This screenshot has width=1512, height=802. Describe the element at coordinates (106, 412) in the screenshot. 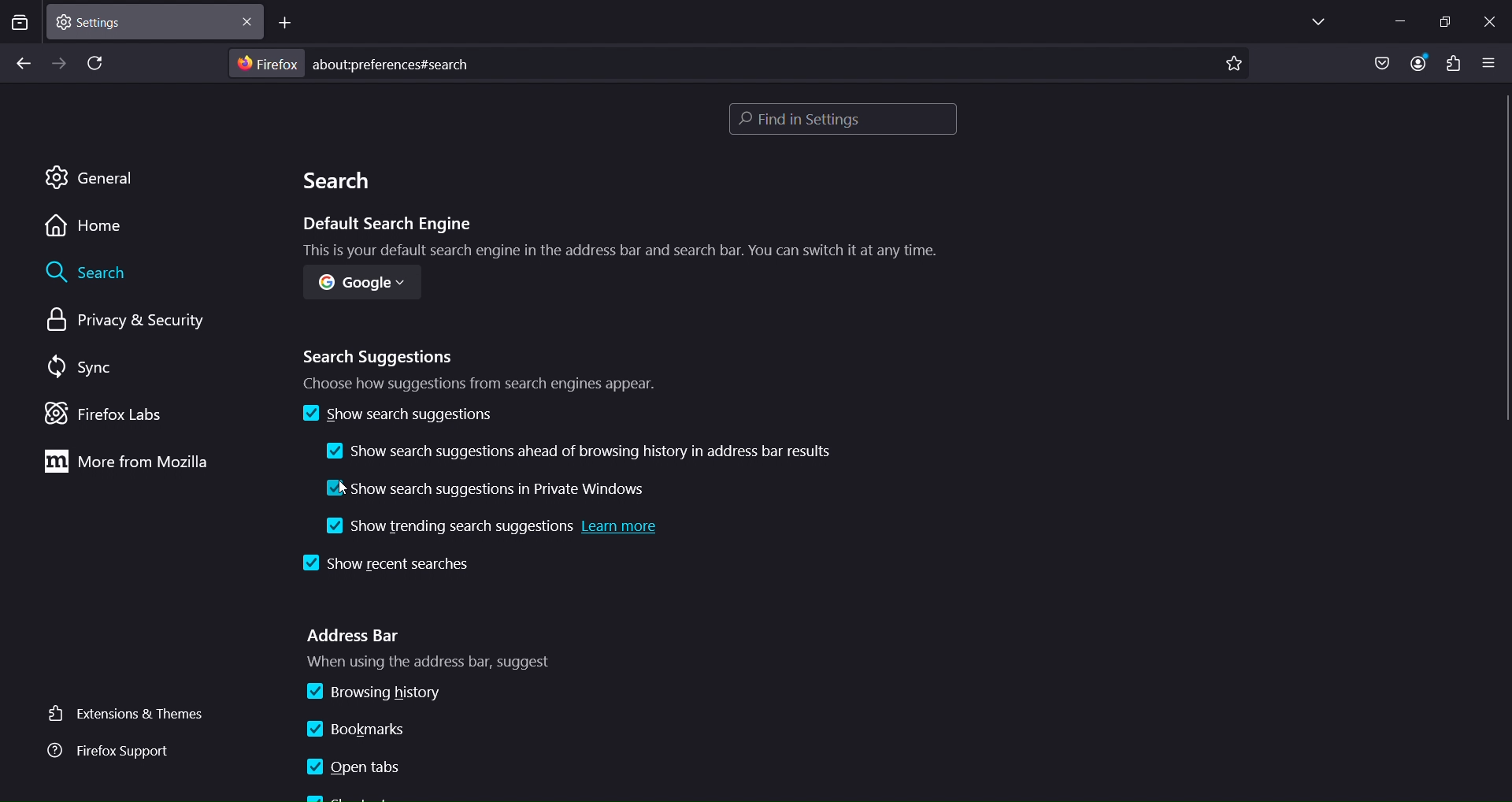

I see `firefox labs` at that location.